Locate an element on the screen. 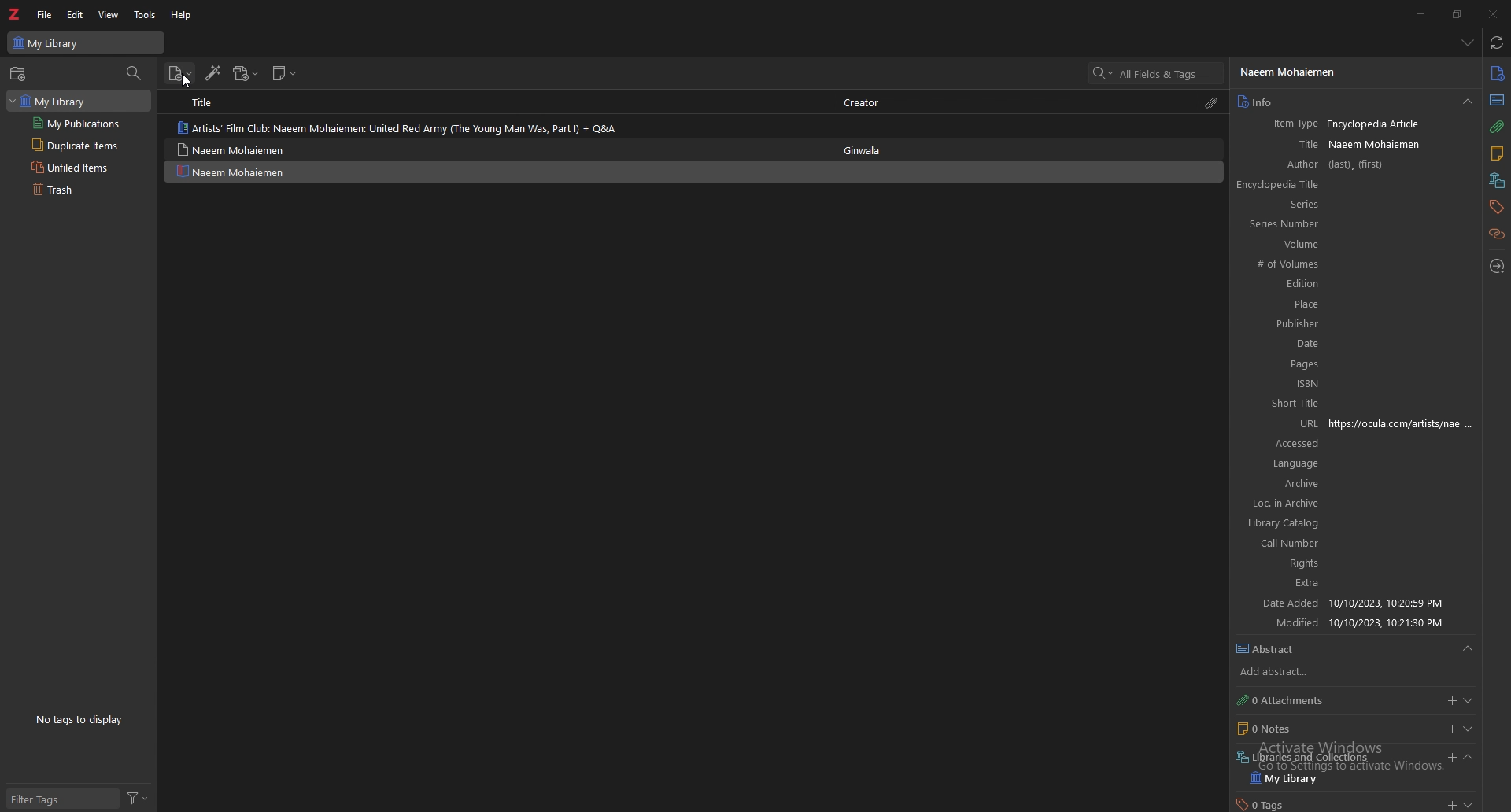  attachments is located at coordinates (1214, 102).